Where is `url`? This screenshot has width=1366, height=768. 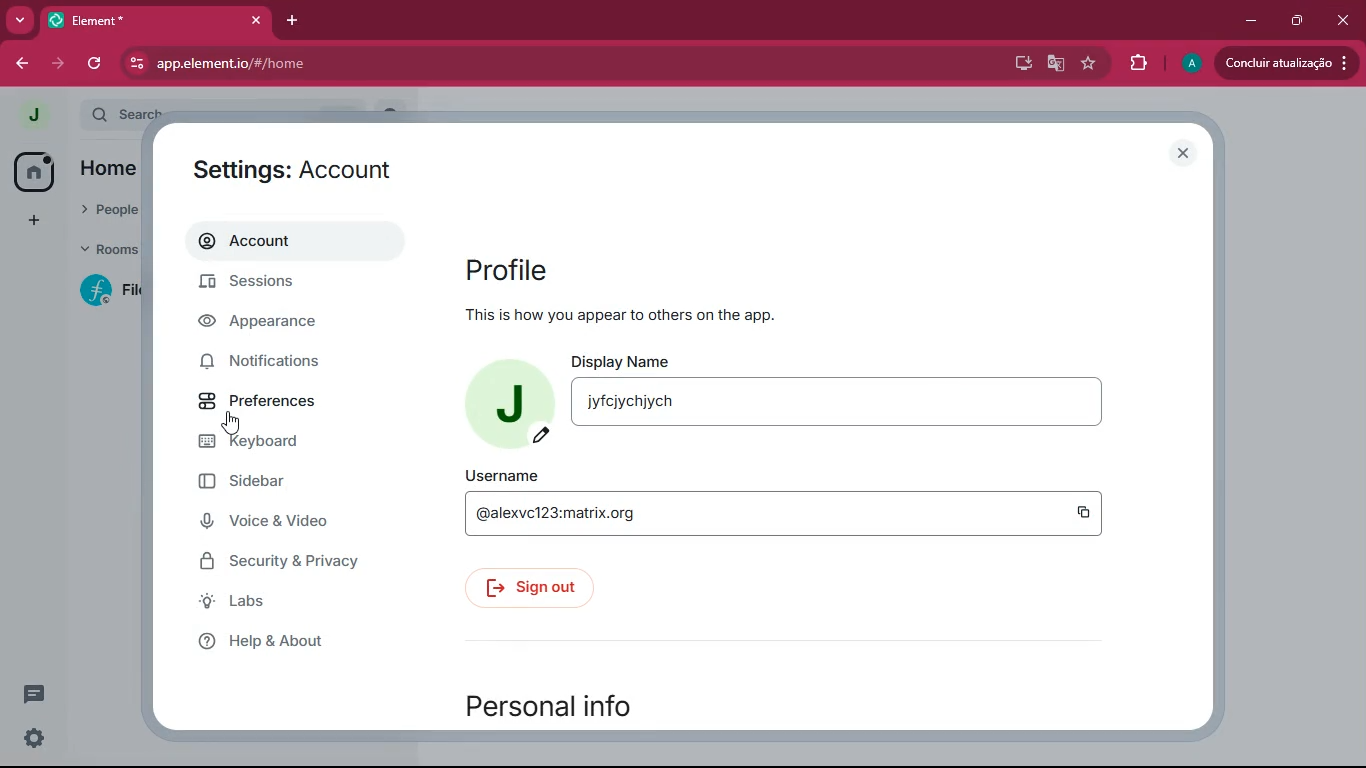 url is located at coordinates (300, 64).